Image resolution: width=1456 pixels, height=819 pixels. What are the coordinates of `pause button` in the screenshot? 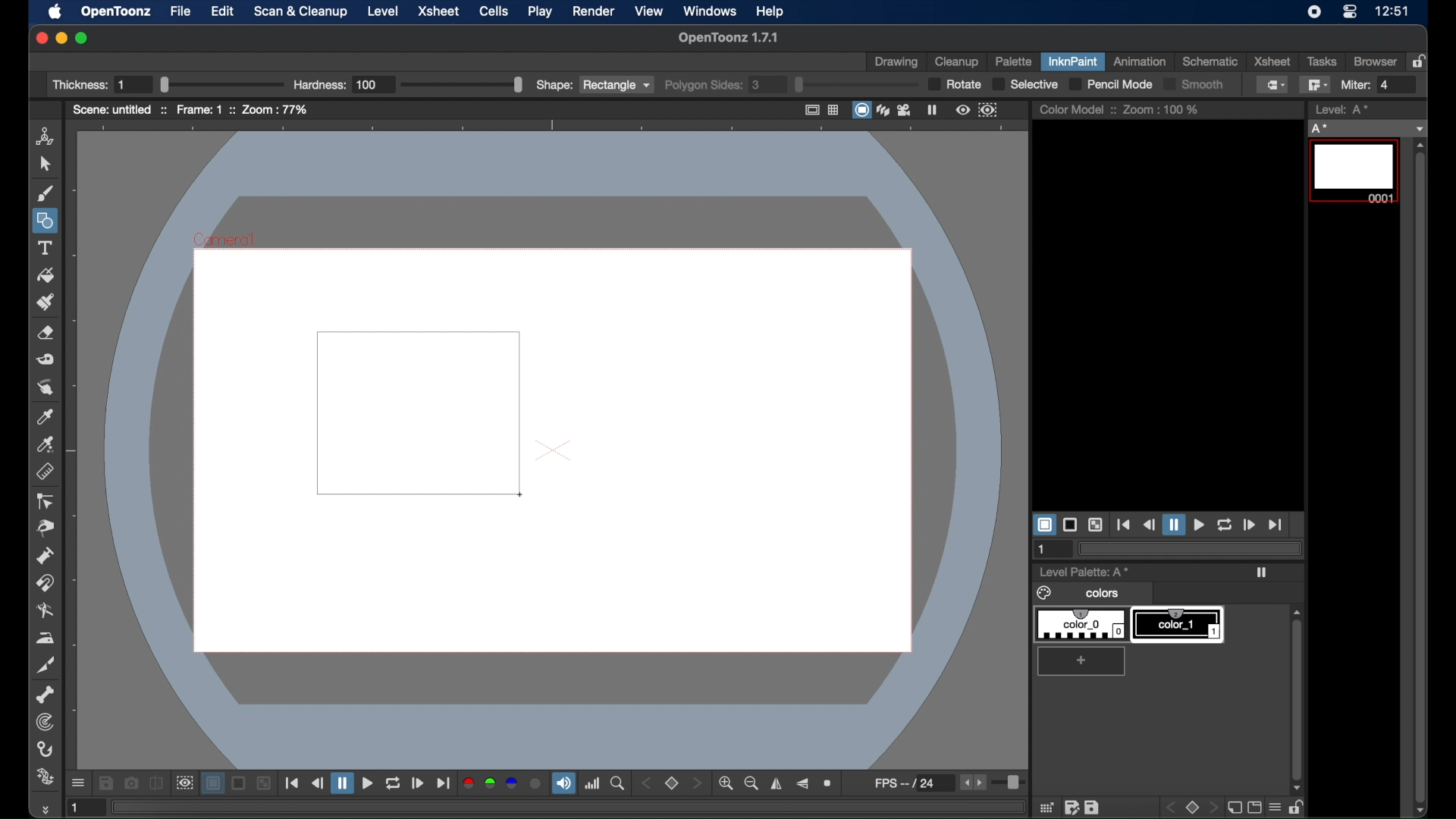 It's located at (1173, 524).